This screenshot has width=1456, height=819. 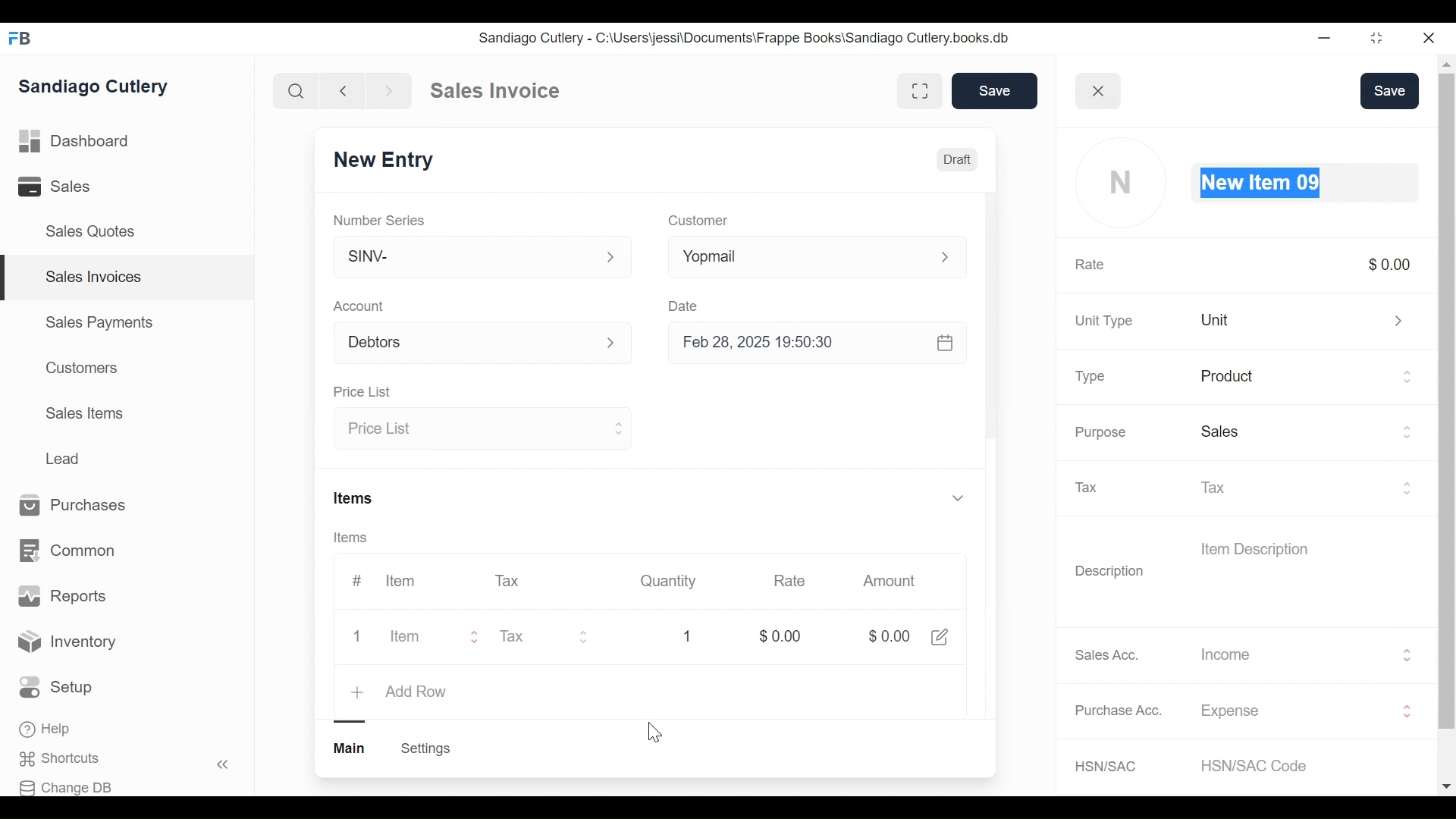 I want to click on Sales Quotes, so click(x=96, y=232).